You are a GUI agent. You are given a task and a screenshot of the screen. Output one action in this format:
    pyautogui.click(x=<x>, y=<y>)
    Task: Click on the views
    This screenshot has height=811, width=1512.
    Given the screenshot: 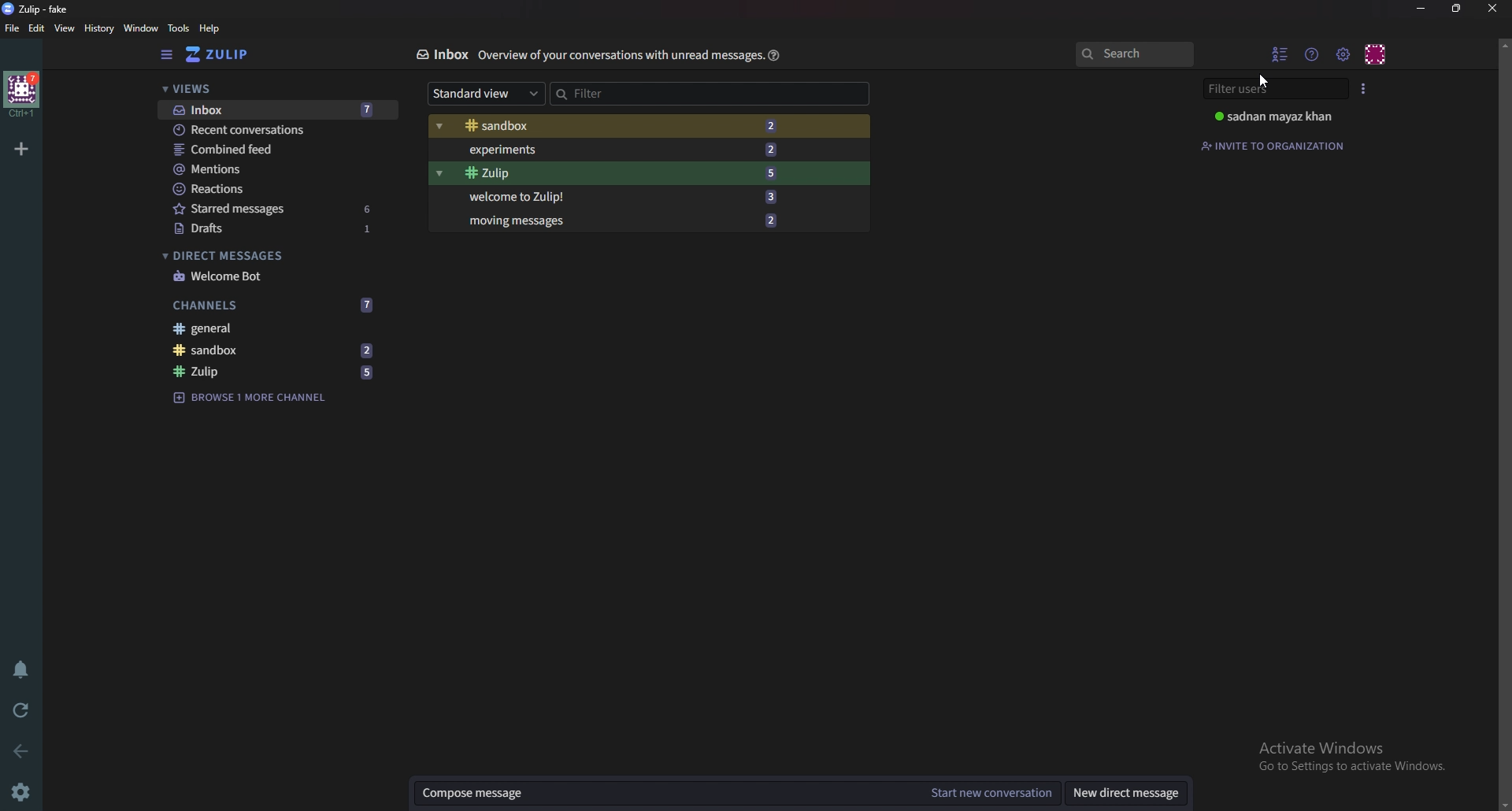 What is the action you would take?
    pyautogui.click(x=269, y=90)
    